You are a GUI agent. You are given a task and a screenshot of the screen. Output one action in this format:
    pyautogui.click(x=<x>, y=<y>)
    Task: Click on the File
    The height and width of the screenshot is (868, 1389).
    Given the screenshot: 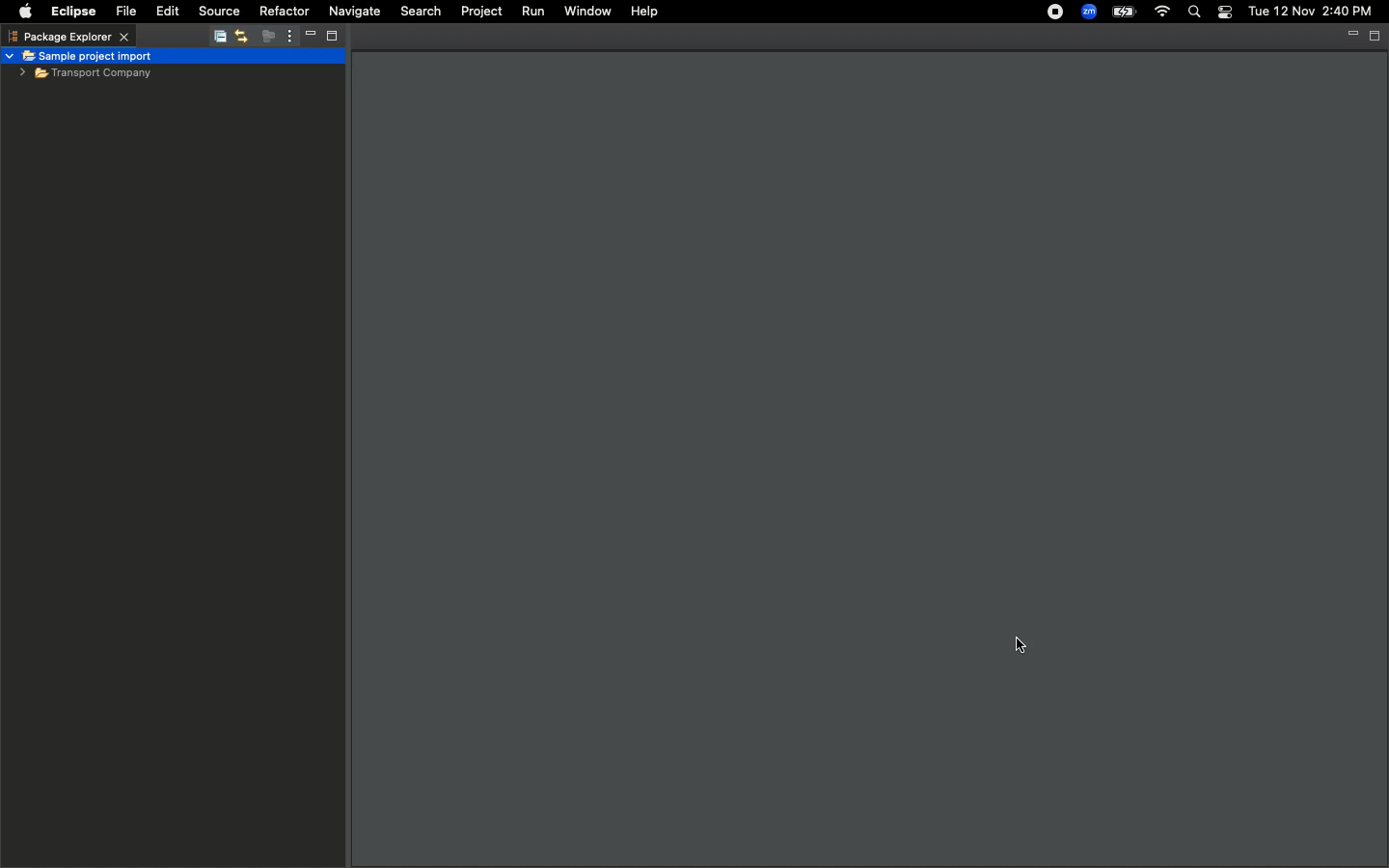 What is the action you would take?
    pyautogui.click(x=128, y=12)
    